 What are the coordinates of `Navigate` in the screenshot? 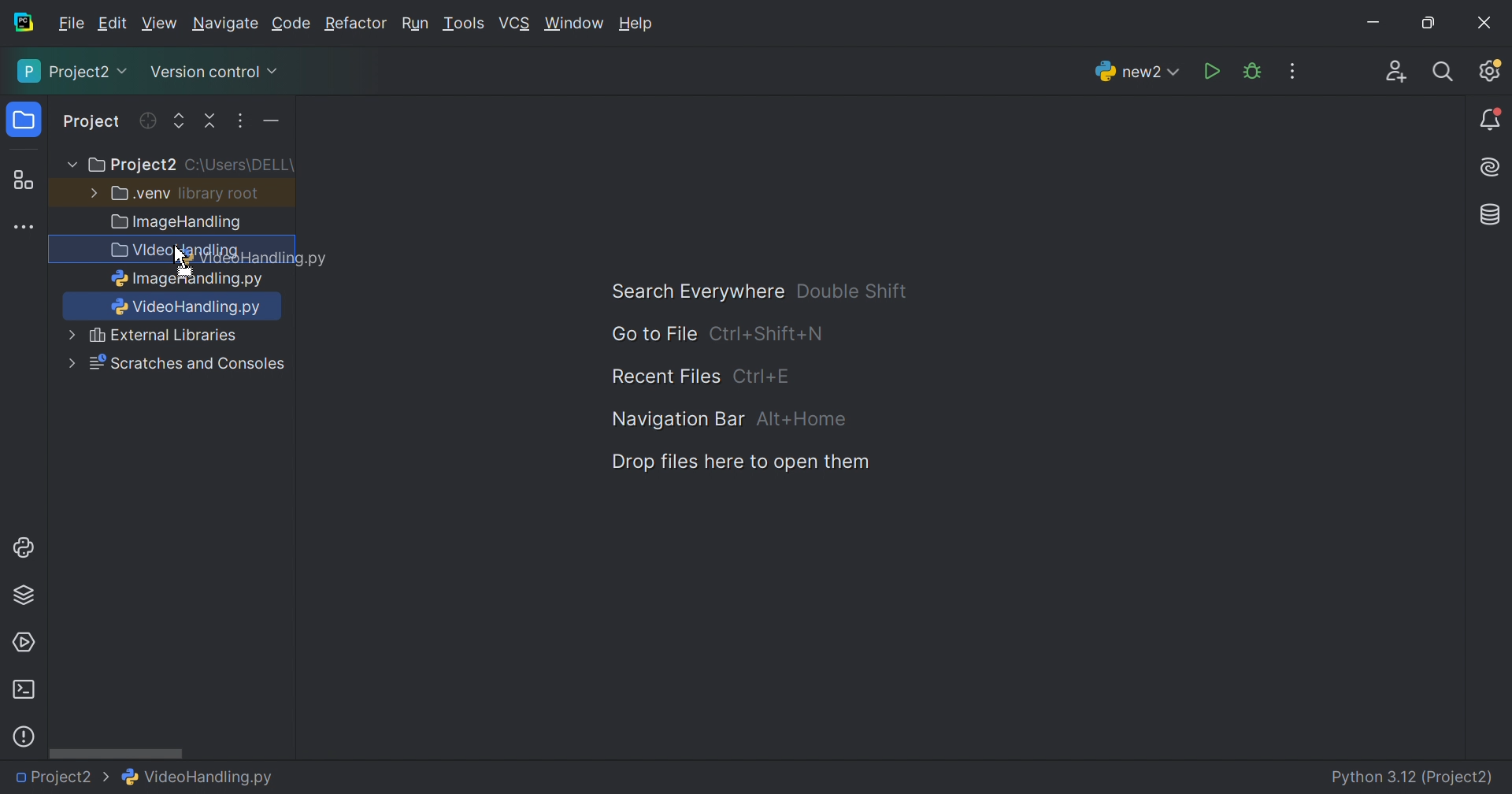 It's located at (227, 26).